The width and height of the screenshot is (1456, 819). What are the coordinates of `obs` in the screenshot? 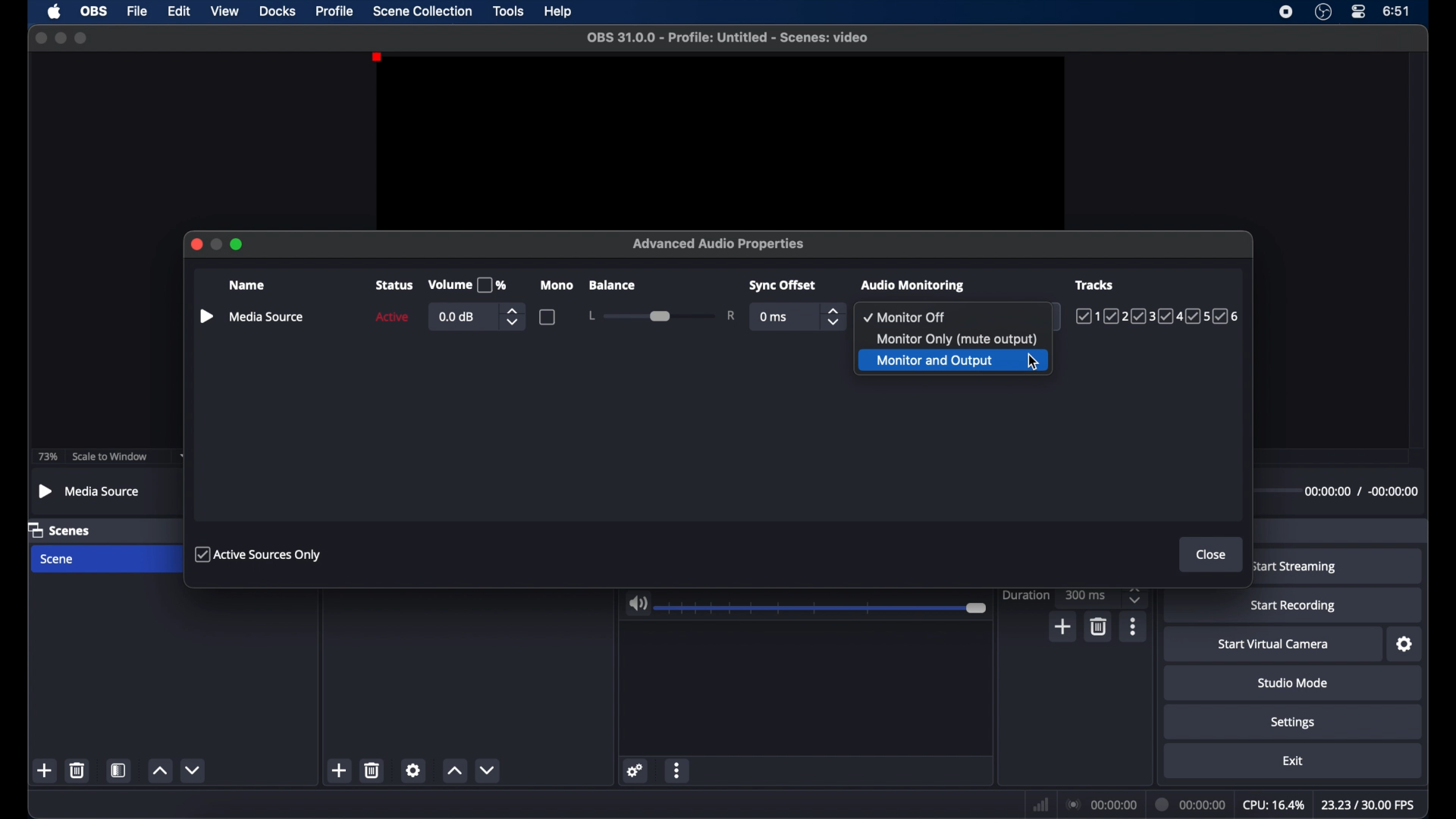 It's located at (96, 12).